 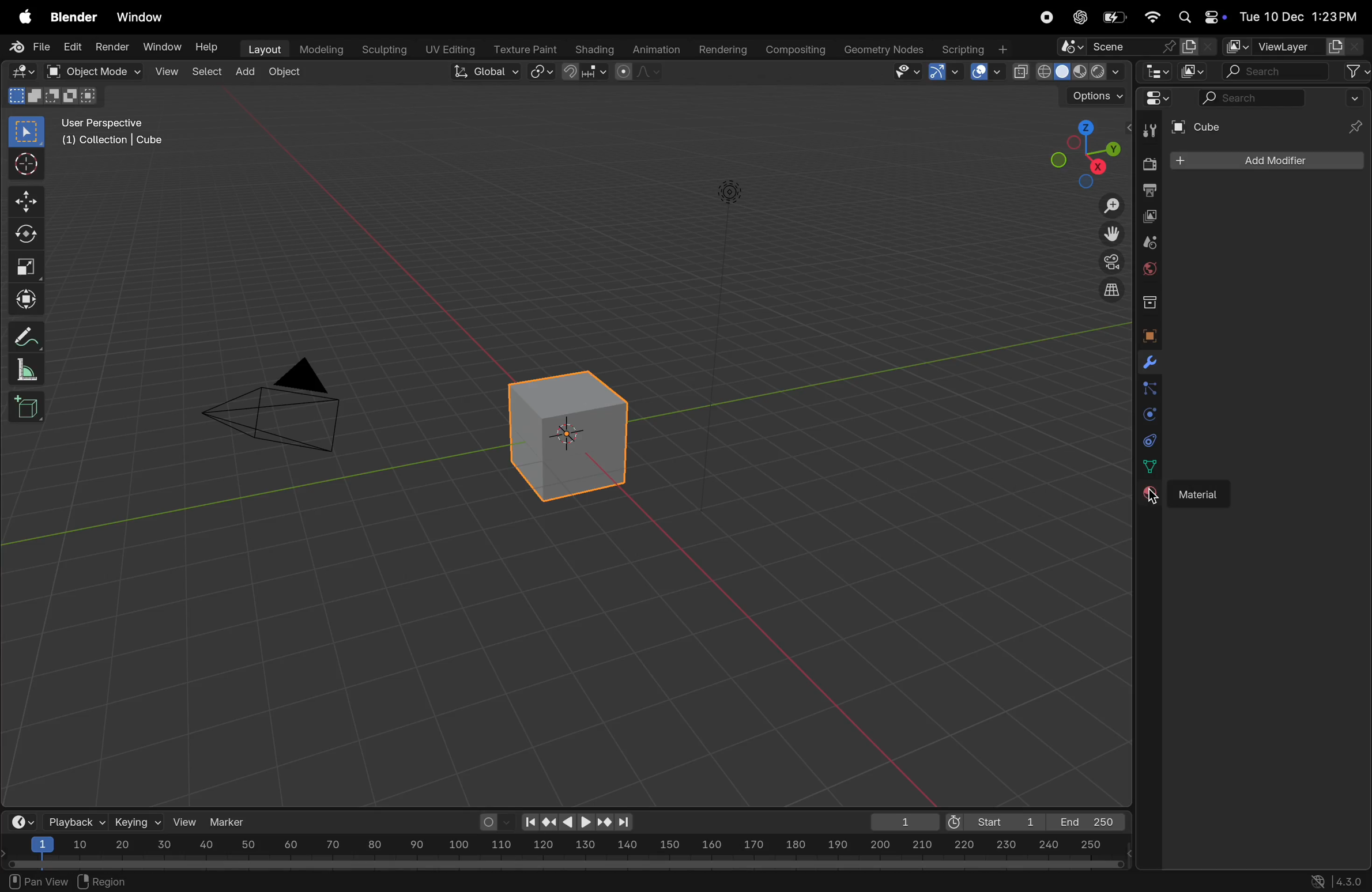 I want to click on transform, so click(x=24, y=297).